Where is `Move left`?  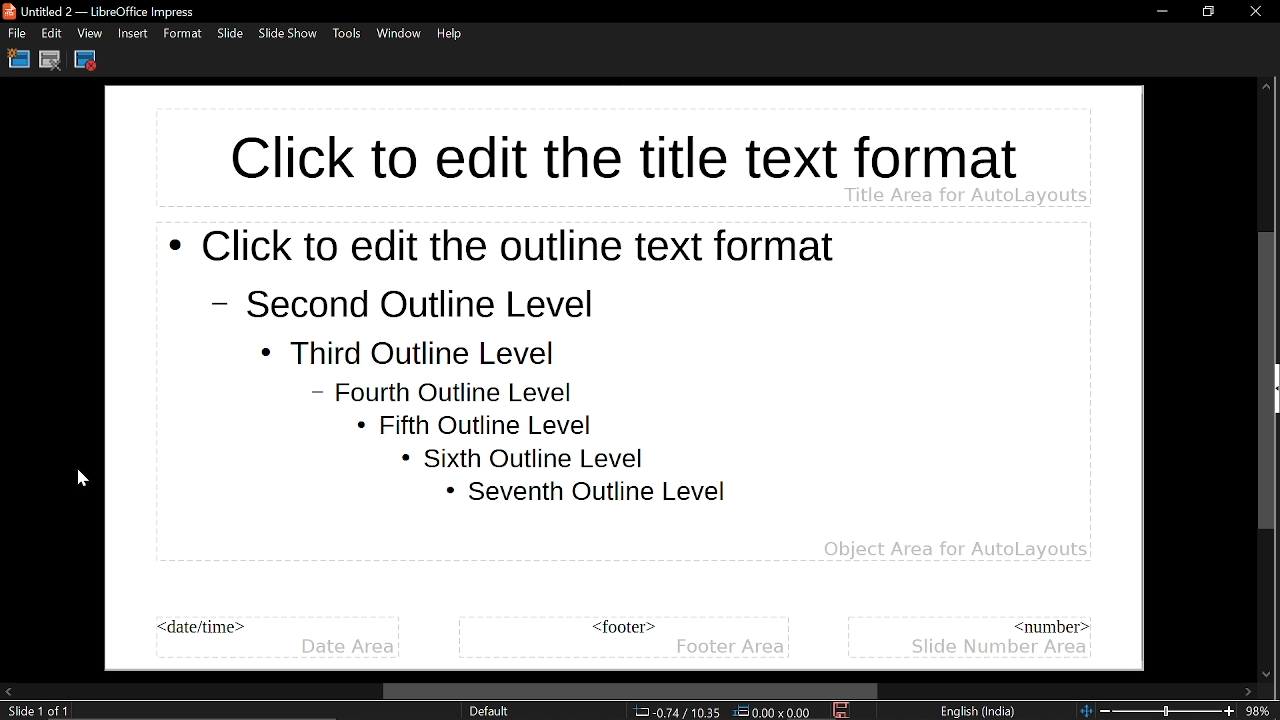
Move left is located at coordinates (8, 691).